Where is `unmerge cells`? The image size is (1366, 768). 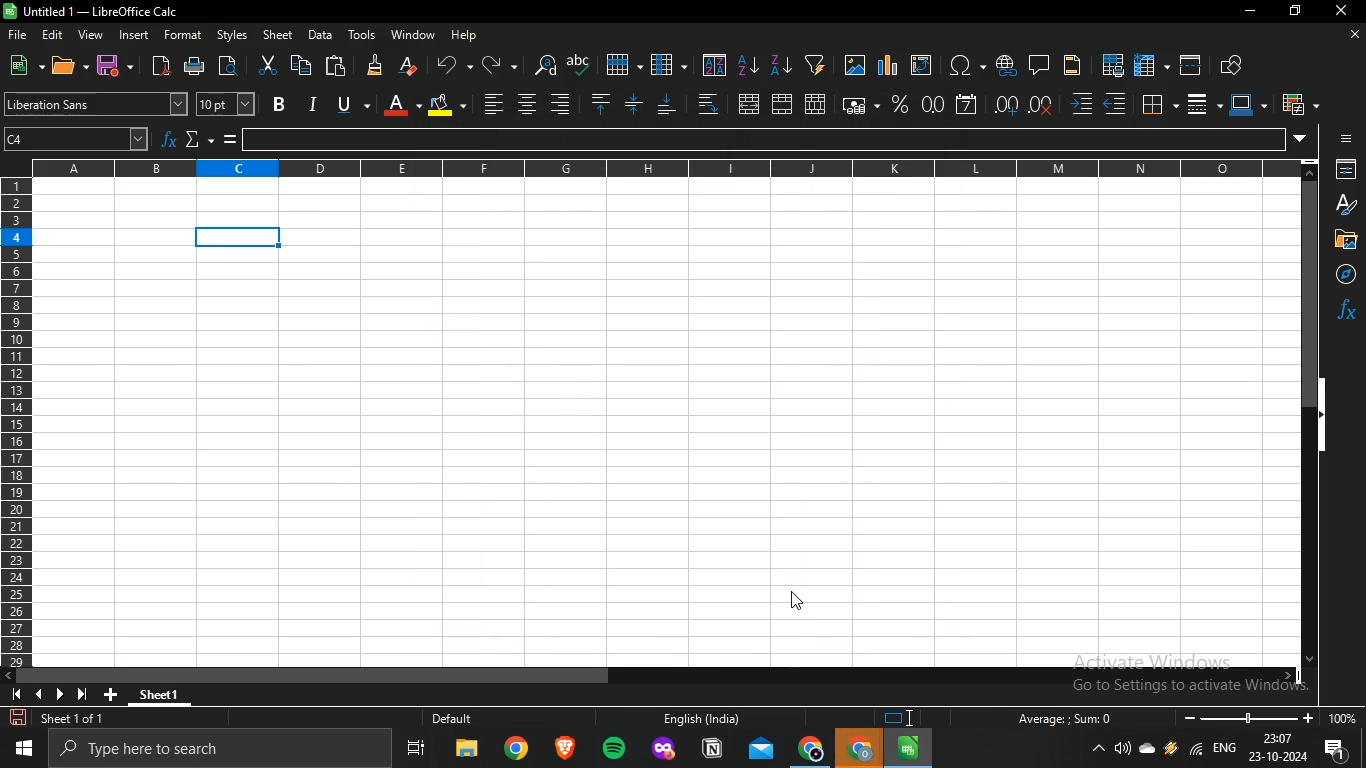 unmerge cells is located at coordinates (815, 102).